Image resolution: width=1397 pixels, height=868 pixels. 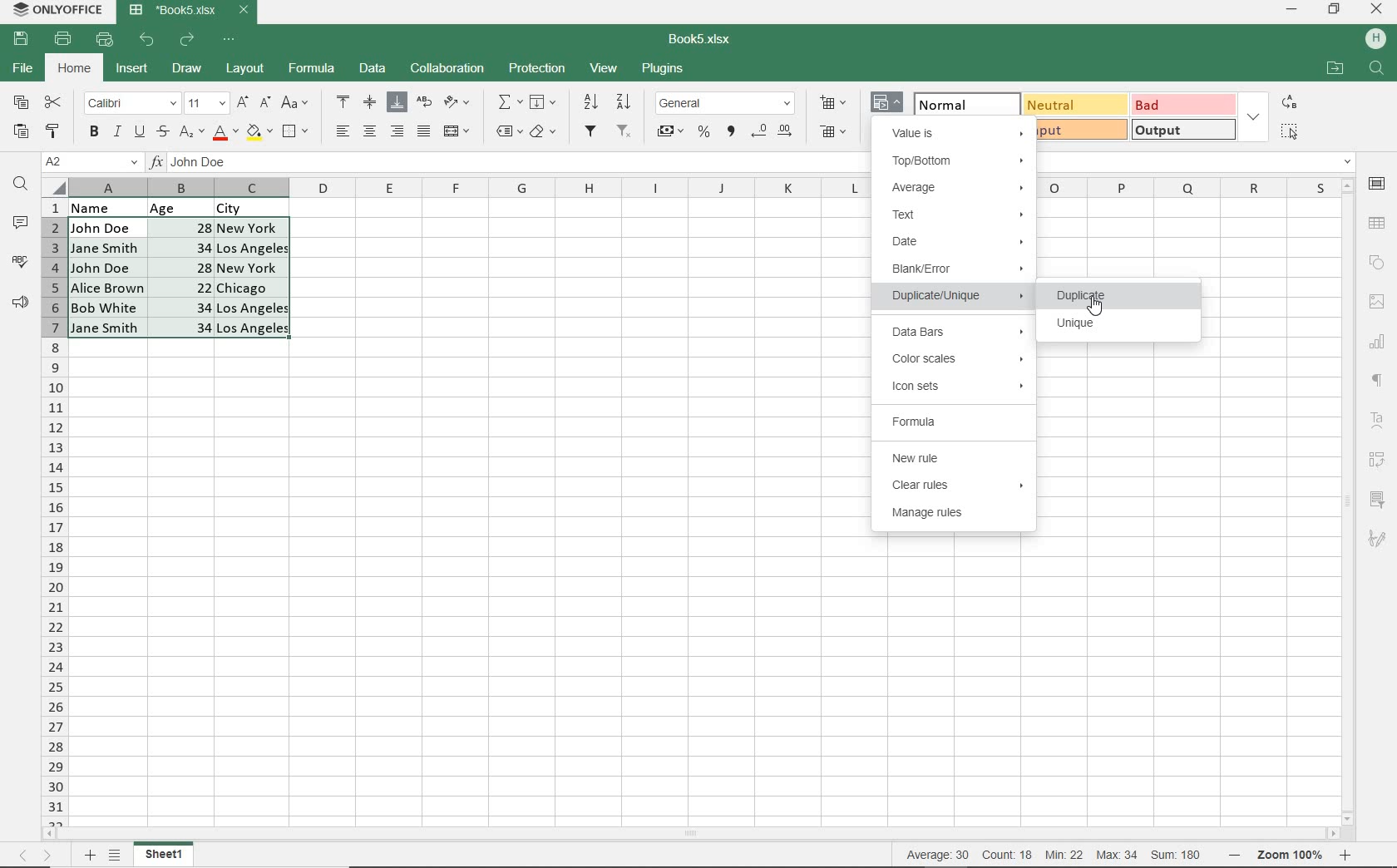 I want to click on UNIQUE, so click(x=1078, y=326).